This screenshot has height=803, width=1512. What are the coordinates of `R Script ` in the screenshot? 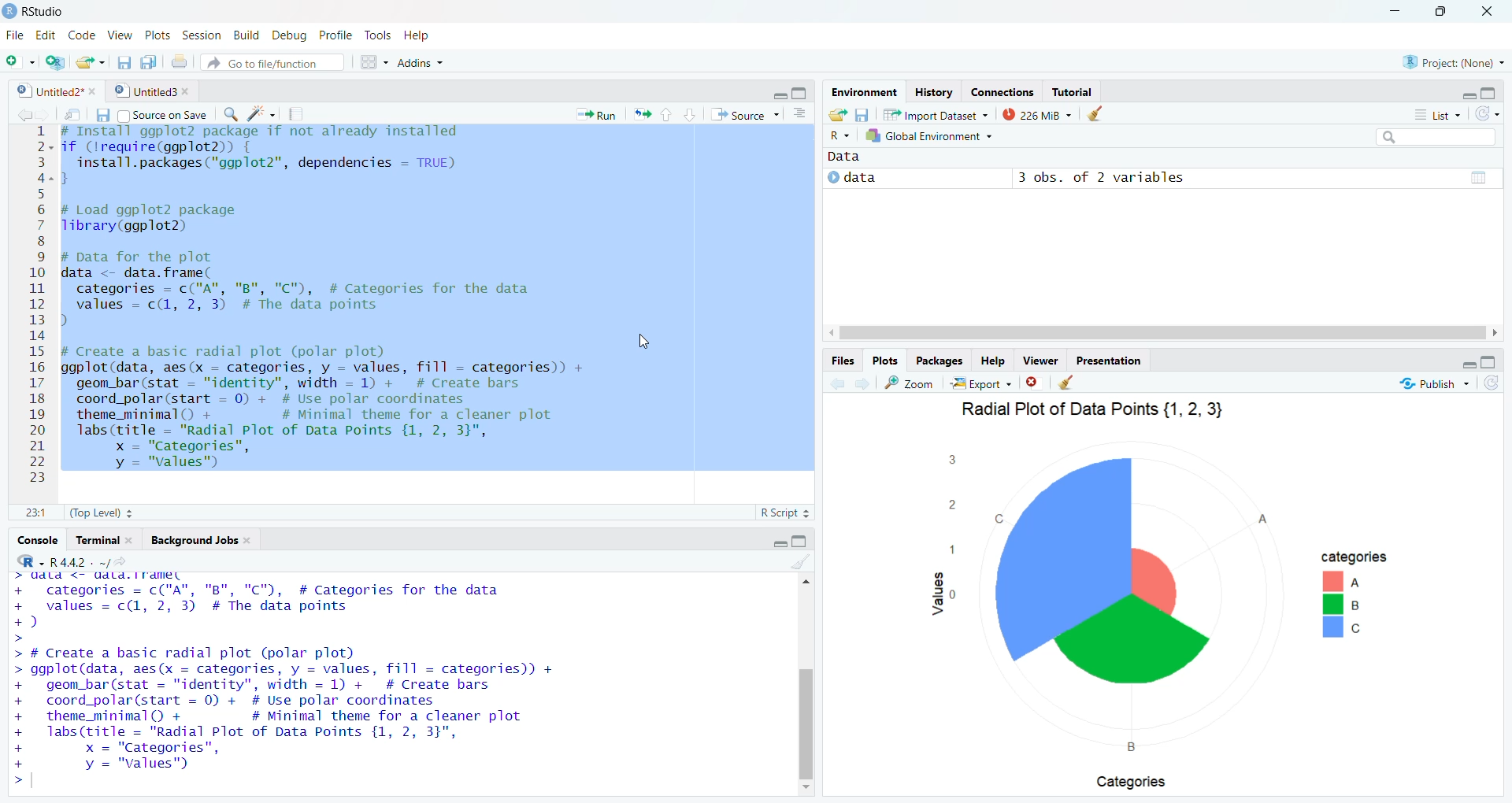 It's located at (783, 512).